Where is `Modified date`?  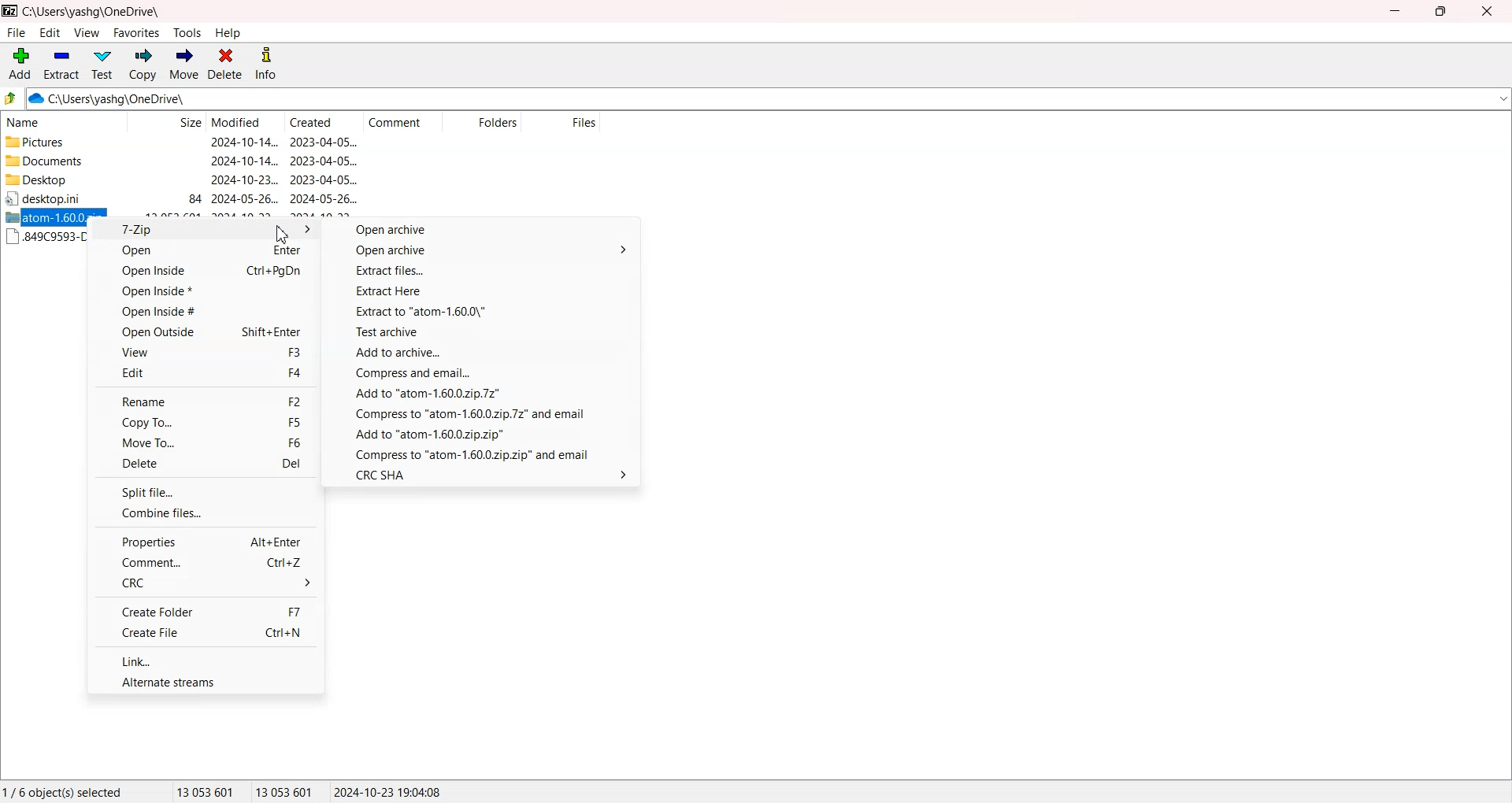
Modified date is located at coordinates (244, 123).